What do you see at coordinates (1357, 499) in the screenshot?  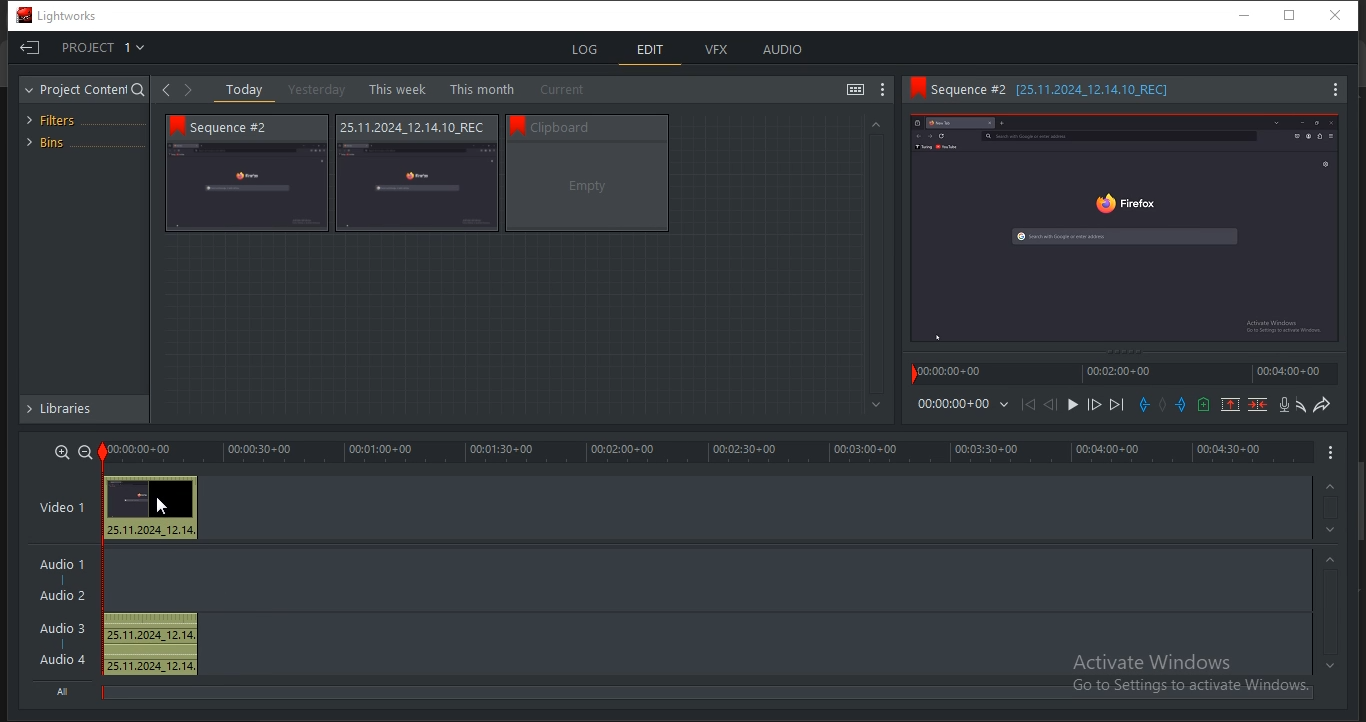 I see `Scroll bar` at bounding box center [1357, 499].